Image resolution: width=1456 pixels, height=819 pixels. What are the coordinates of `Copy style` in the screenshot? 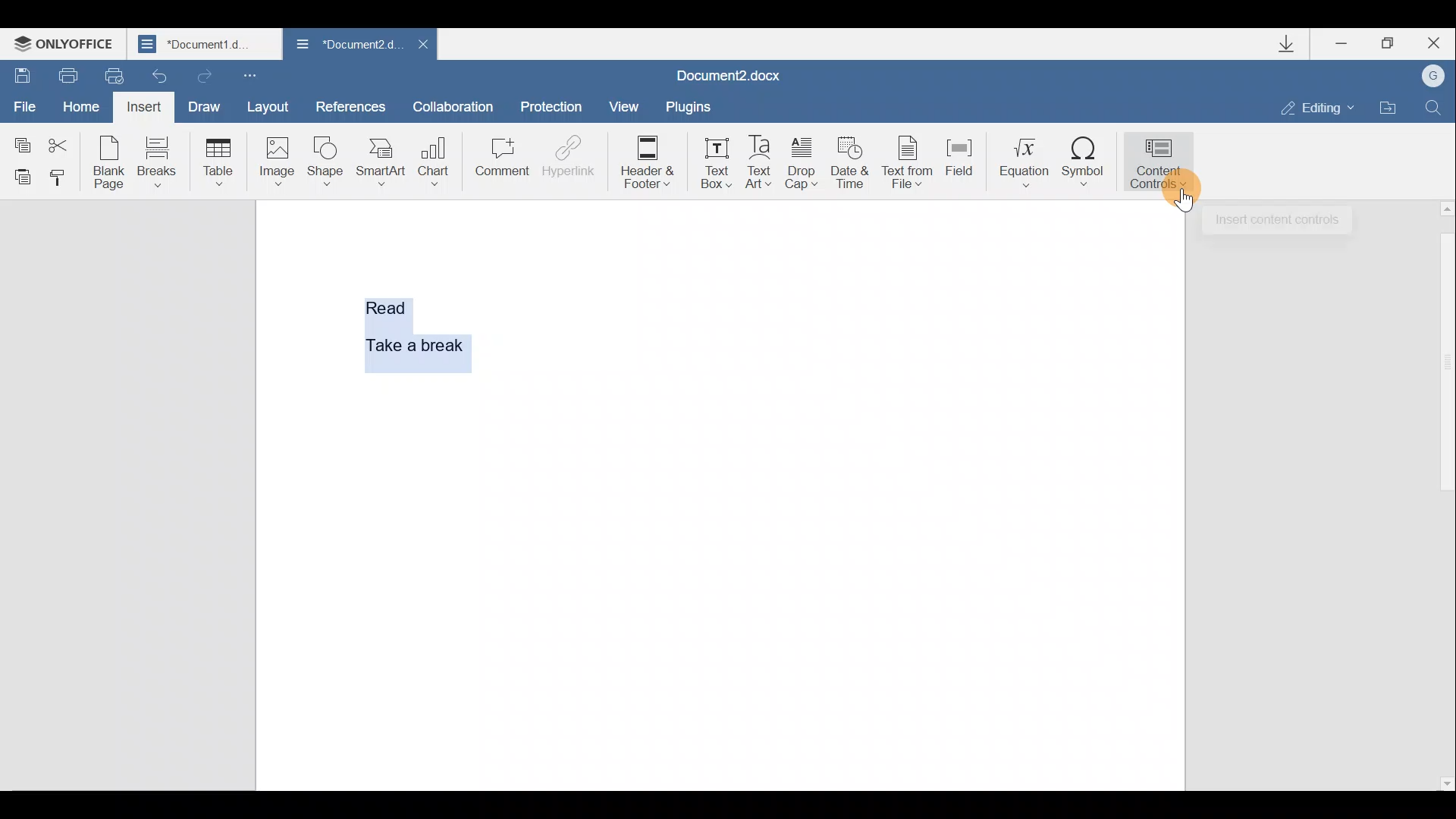 It's located at (62, 178).